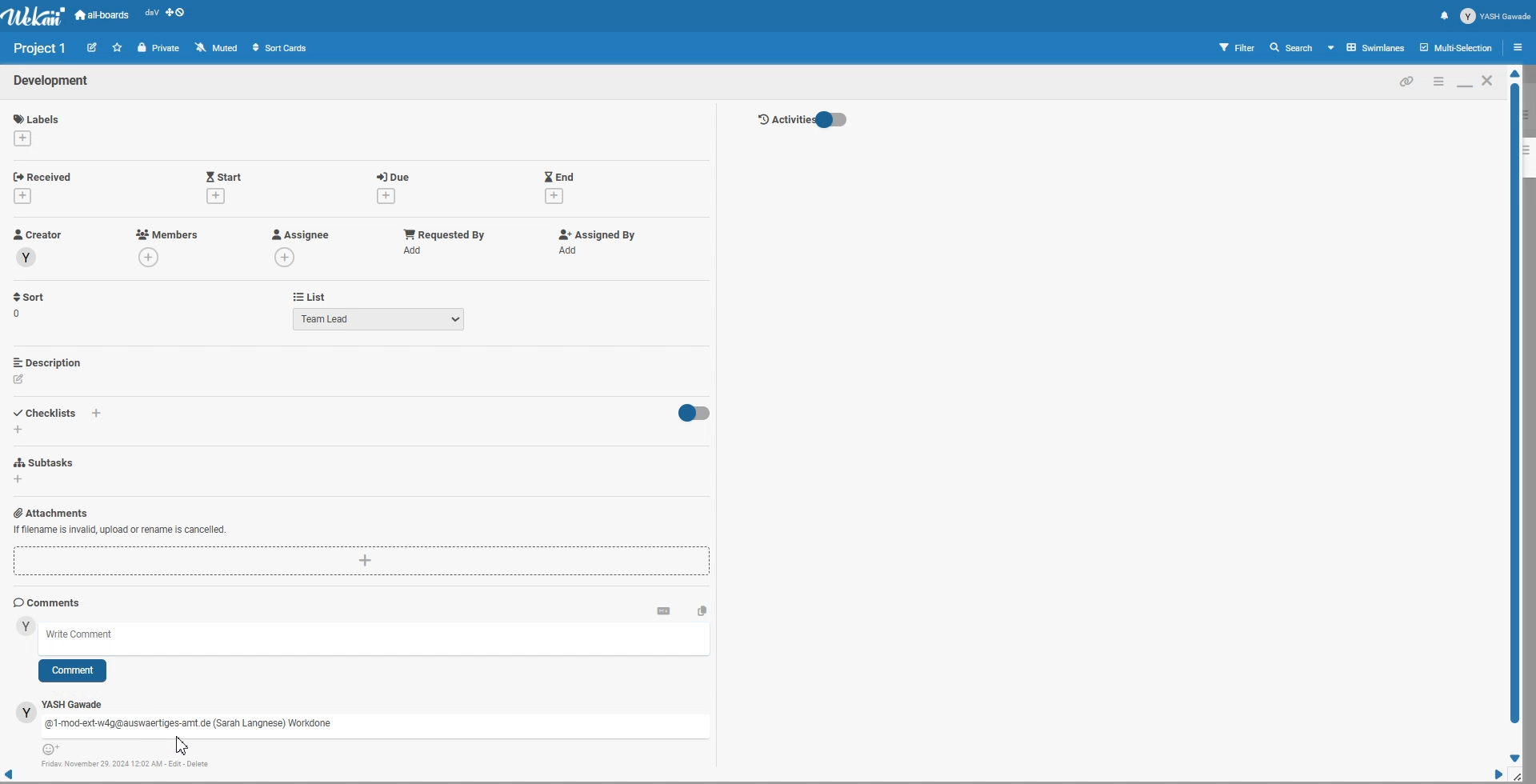 This screenshot has height=784, width=1536. Describe the element at coordinates (18, 429) in the screenshot. I see `add` at that location.